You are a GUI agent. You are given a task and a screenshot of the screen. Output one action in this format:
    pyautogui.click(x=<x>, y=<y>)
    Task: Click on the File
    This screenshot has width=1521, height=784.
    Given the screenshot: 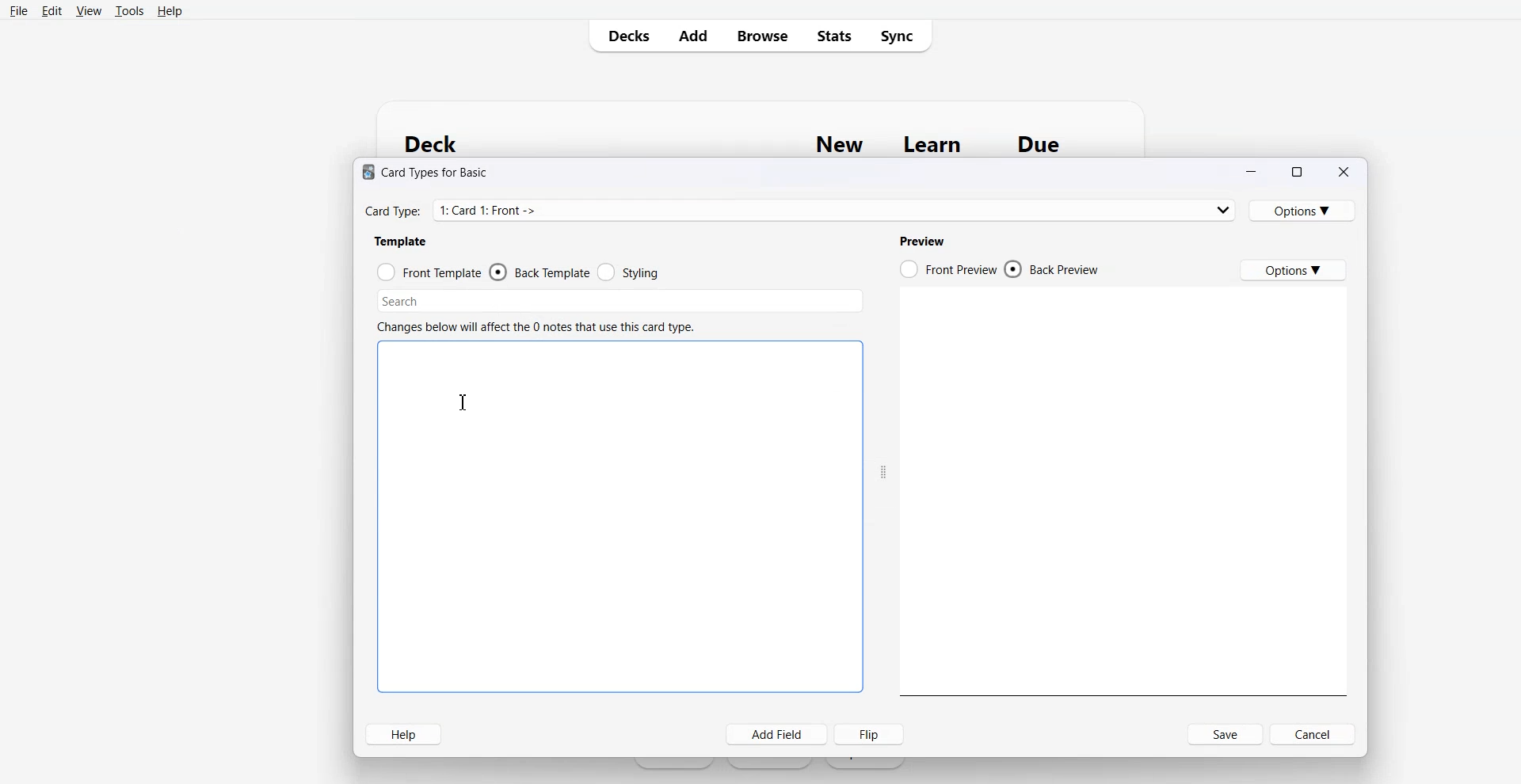 What is the action you would take?
    pyautogui.click(x=18, y=10)
    